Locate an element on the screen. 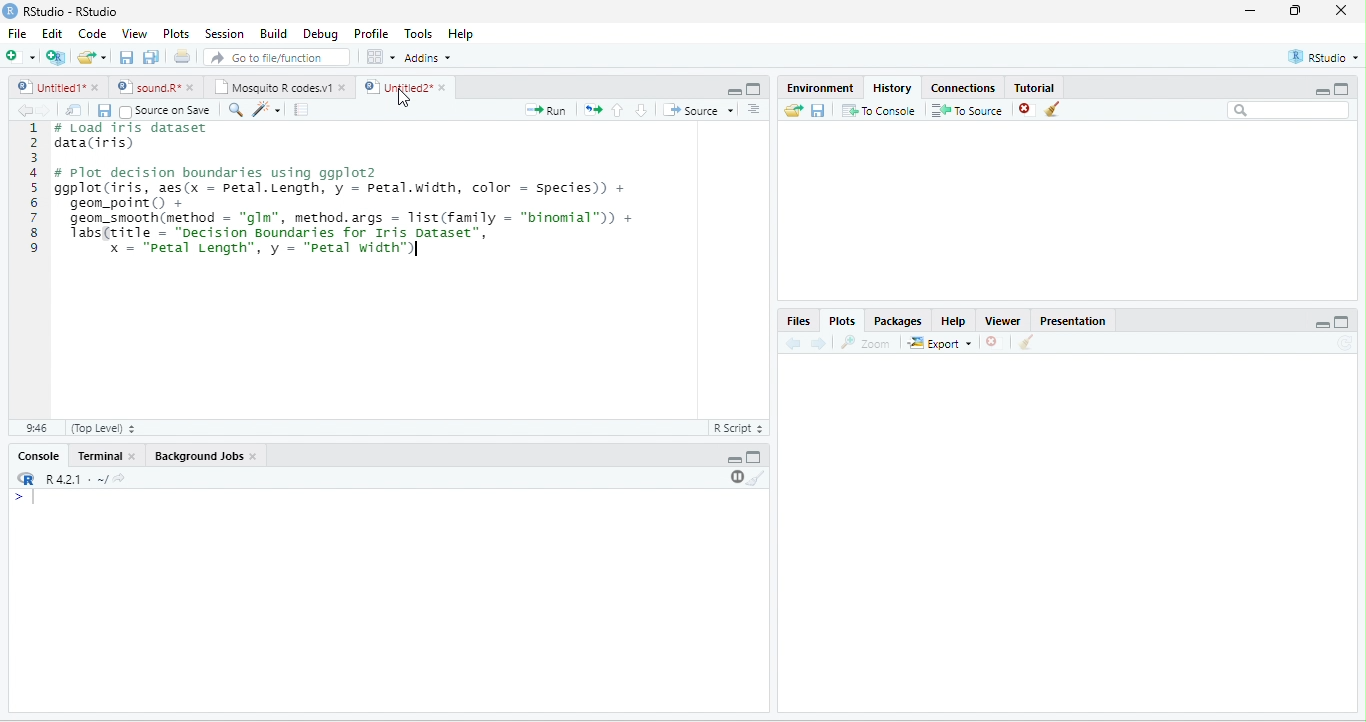 This screenshot has height=722, width=1366. Code is located at coordinates (92, 33).